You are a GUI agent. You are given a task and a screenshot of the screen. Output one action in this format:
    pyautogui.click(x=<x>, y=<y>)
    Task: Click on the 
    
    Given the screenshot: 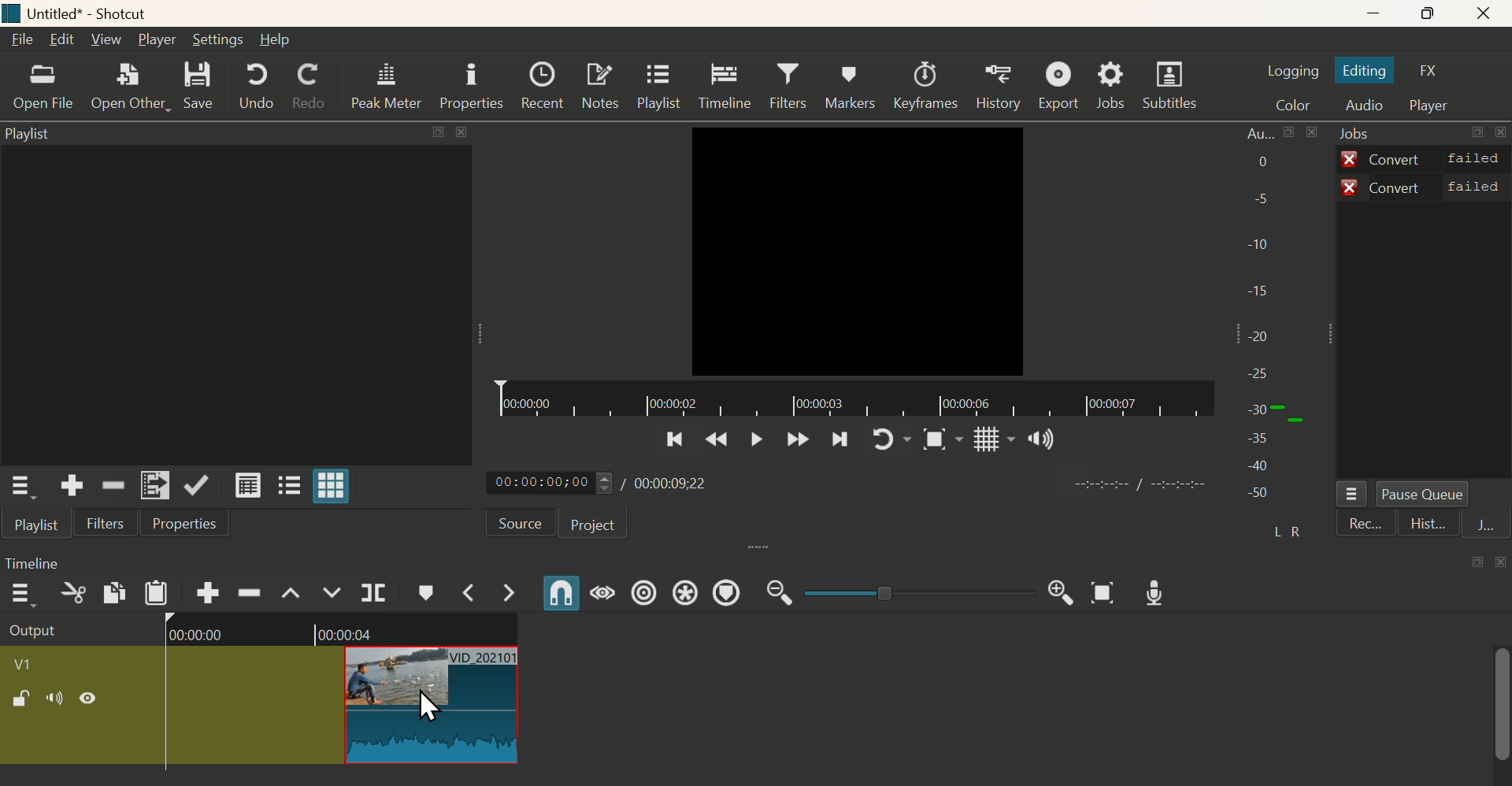 What is the action you would take?
    pyautogui.click(x=278, y=39)
    